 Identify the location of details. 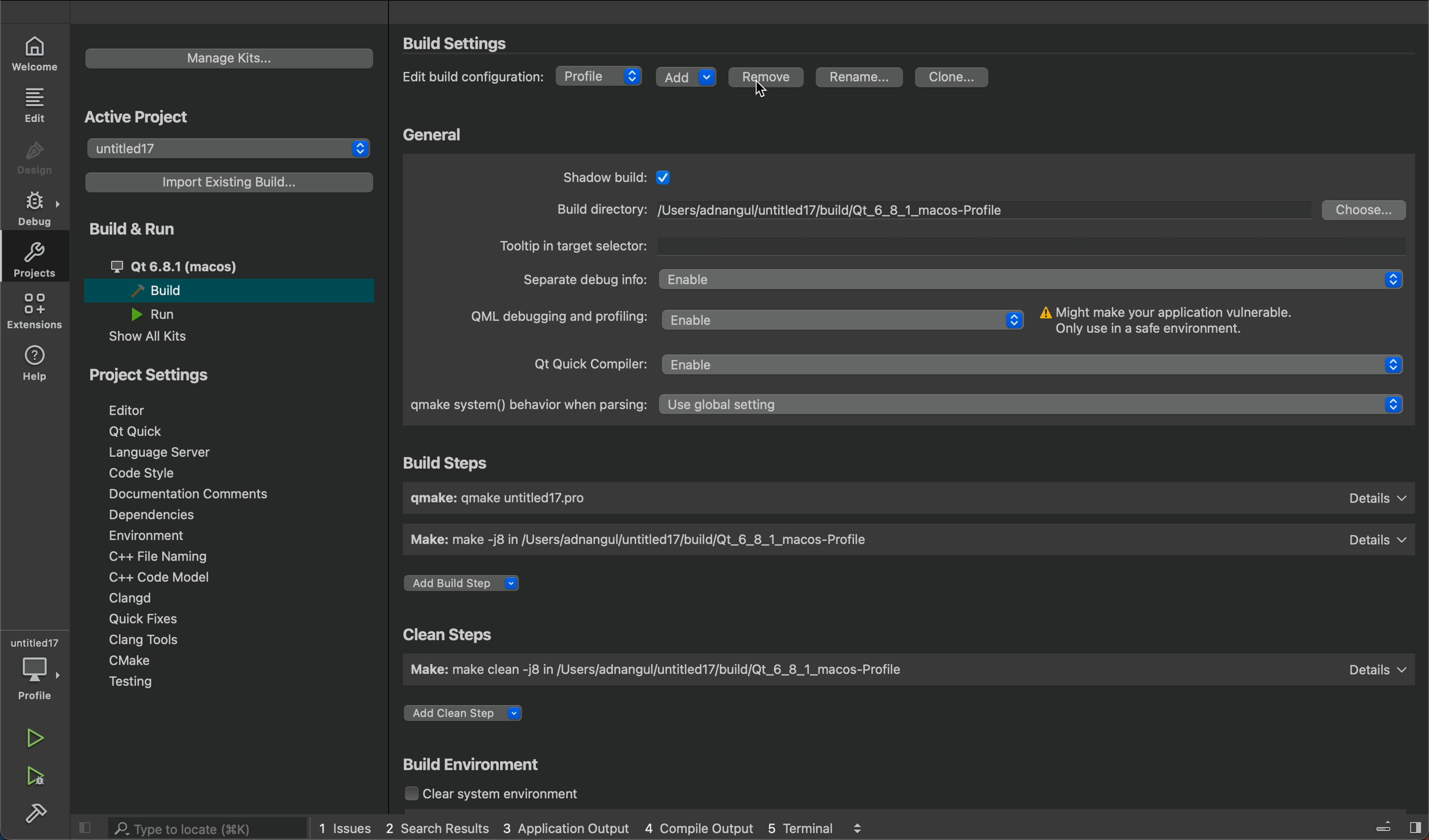
(1381, 500).